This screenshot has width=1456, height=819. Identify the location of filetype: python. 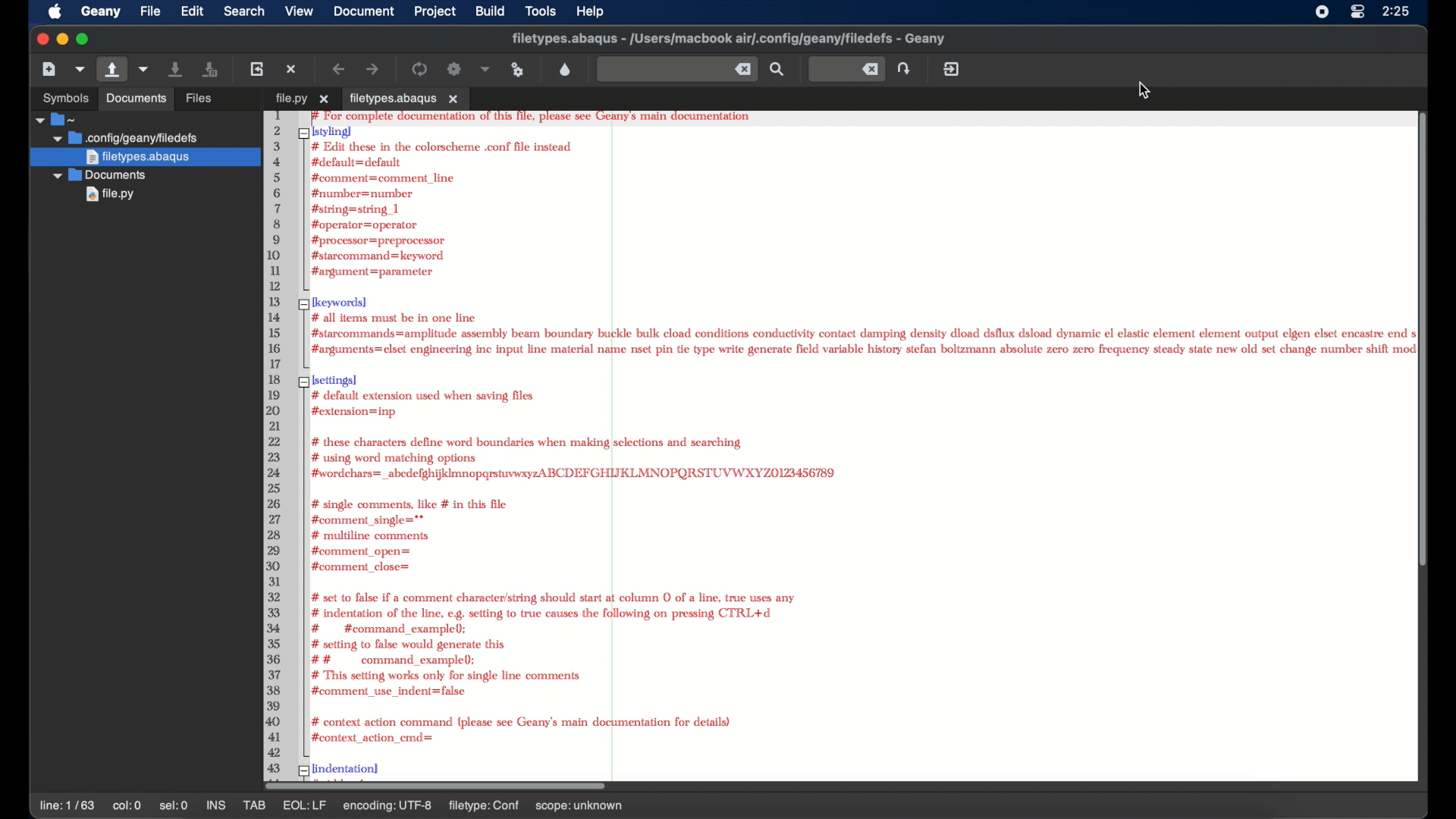
(532, 805).